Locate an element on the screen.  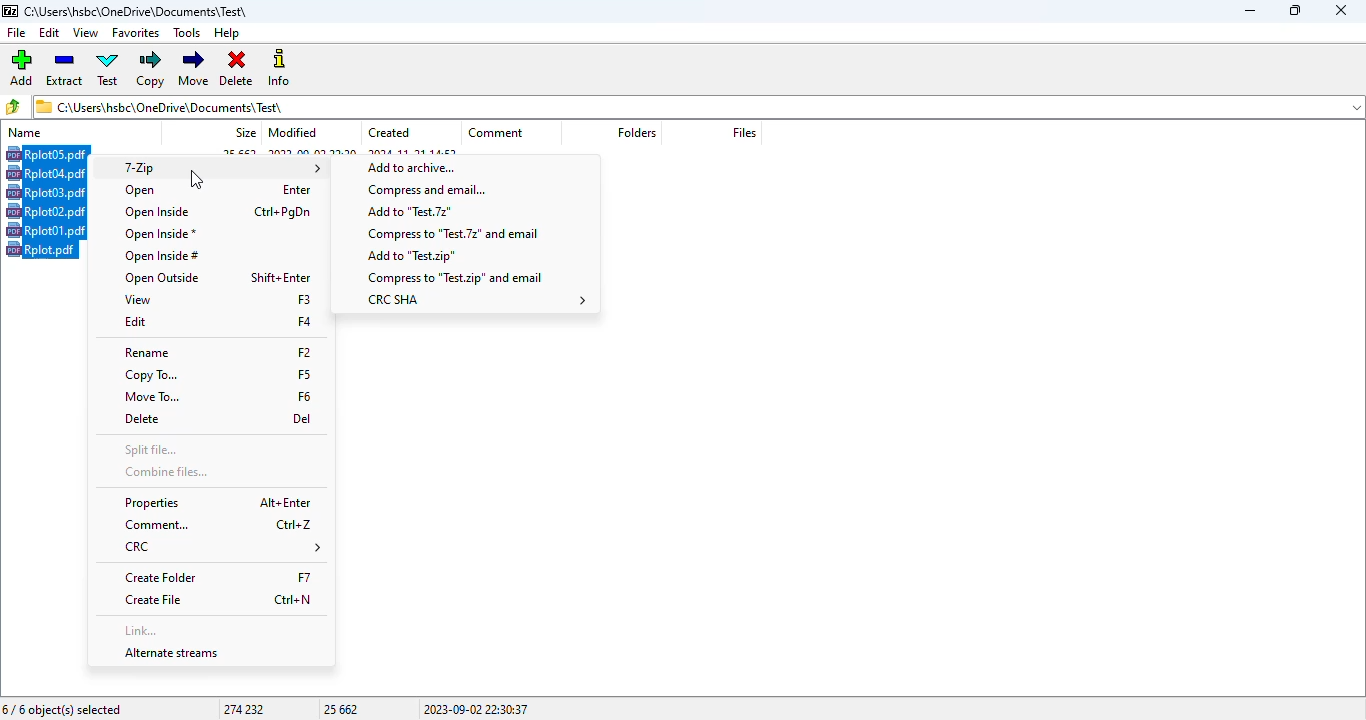
comment is located at coordinates (221, 524).